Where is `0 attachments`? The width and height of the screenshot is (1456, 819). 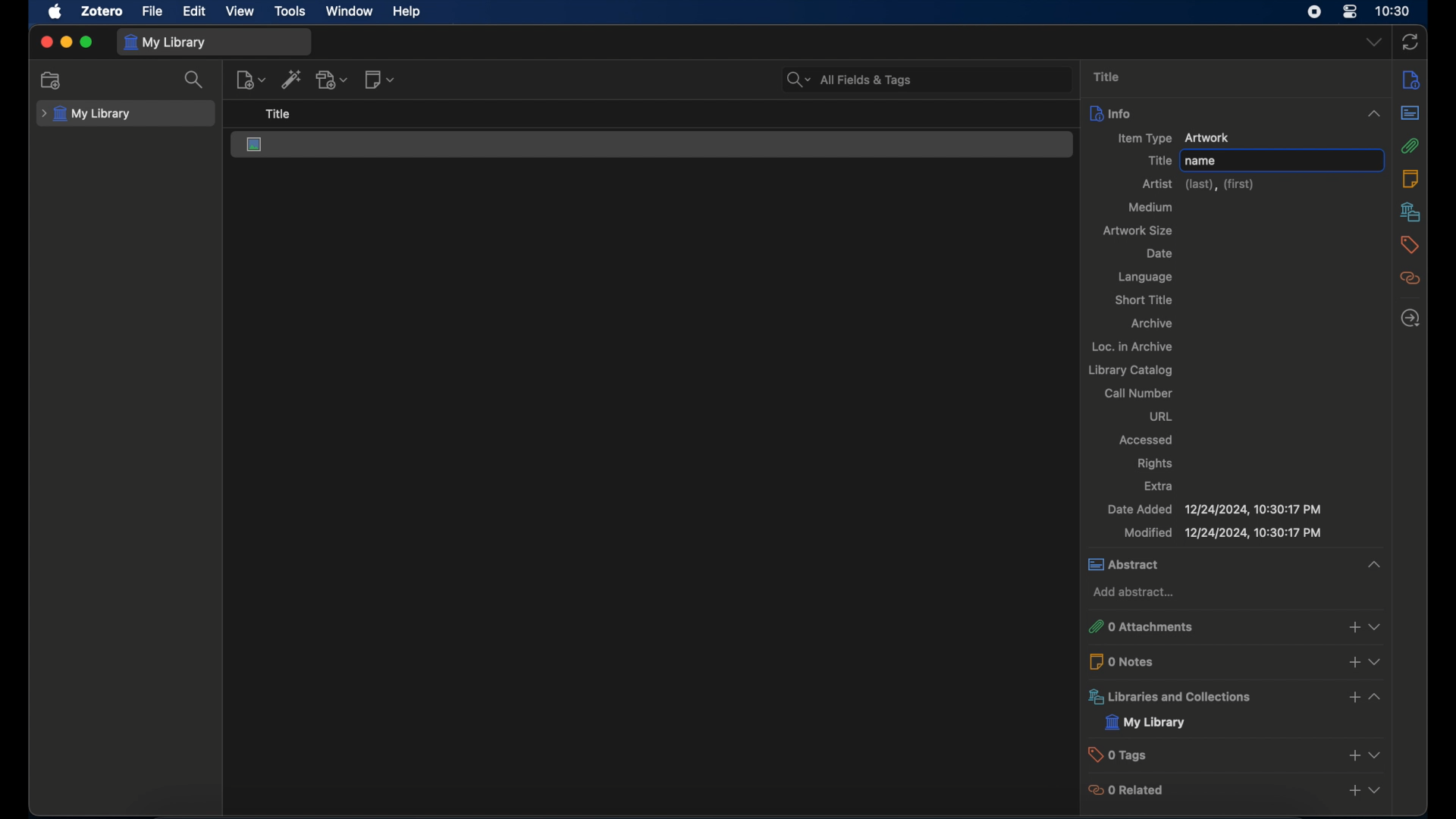 0 attachments is located at coordinates (1152, 626).